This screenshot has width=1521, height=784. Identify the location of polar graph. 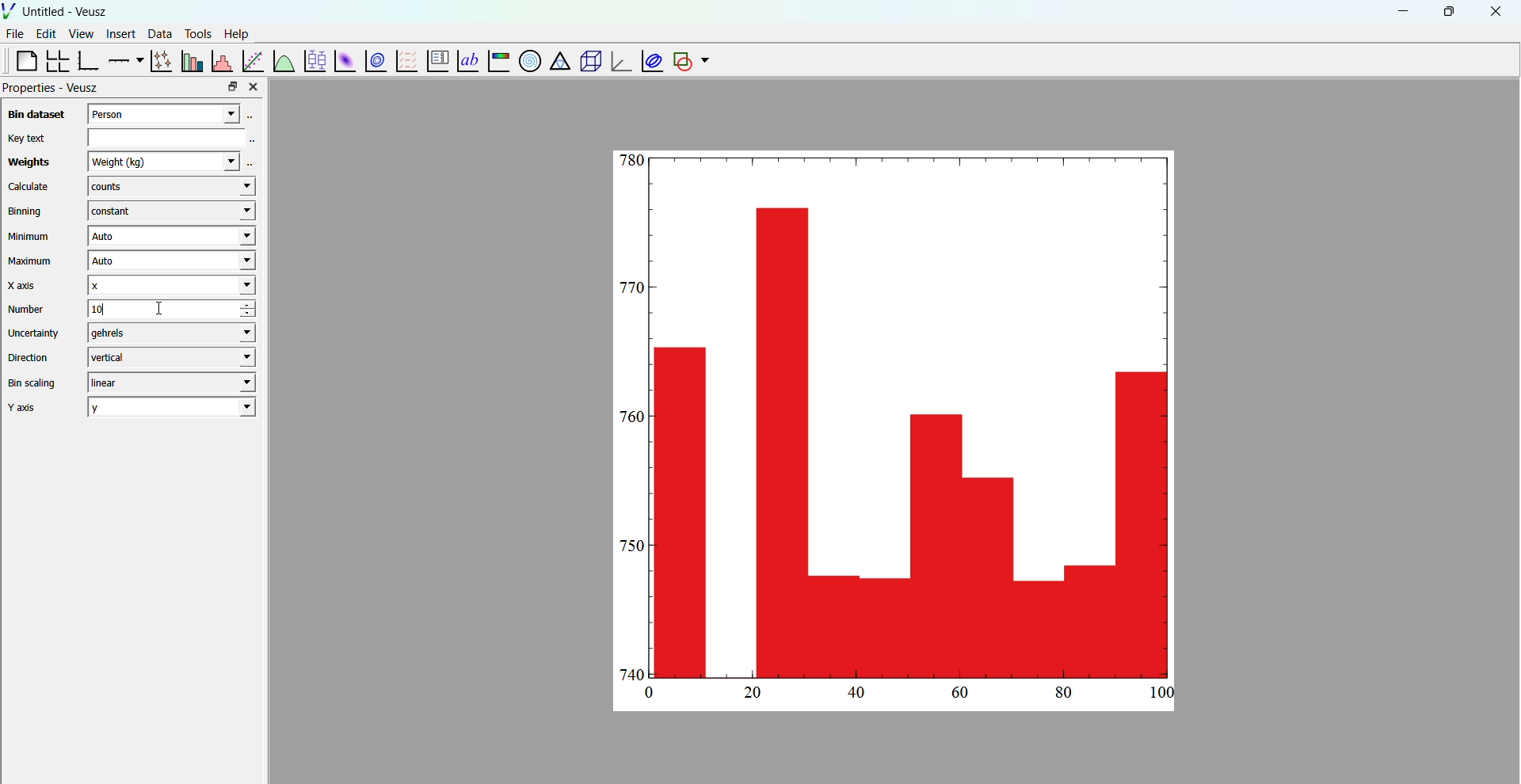
(527, 60).